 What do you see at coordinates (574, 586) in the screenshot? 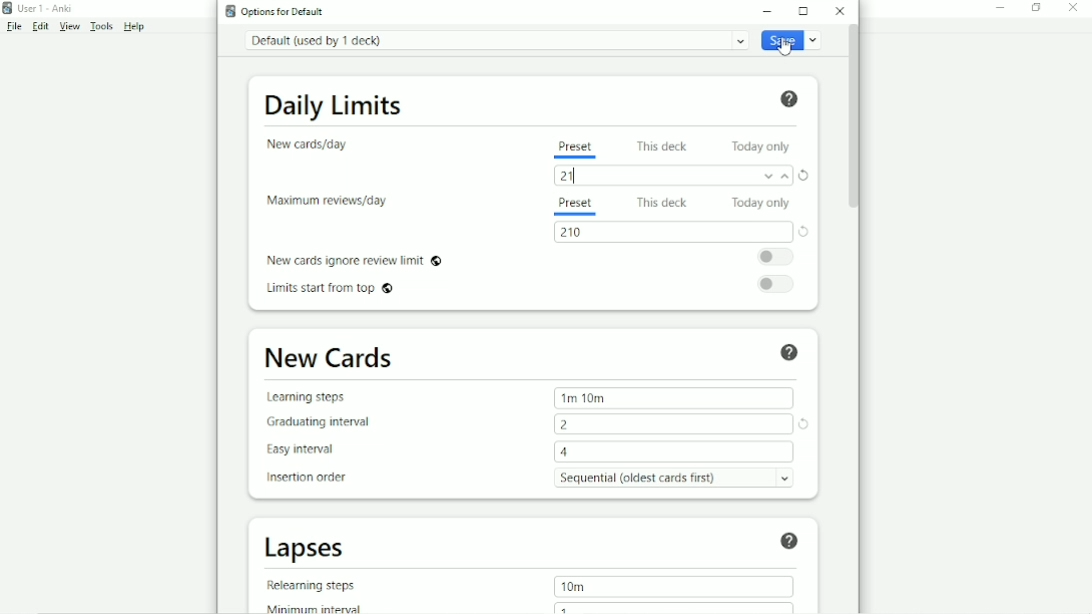
I see `10m` at bounding box center [574, 586].